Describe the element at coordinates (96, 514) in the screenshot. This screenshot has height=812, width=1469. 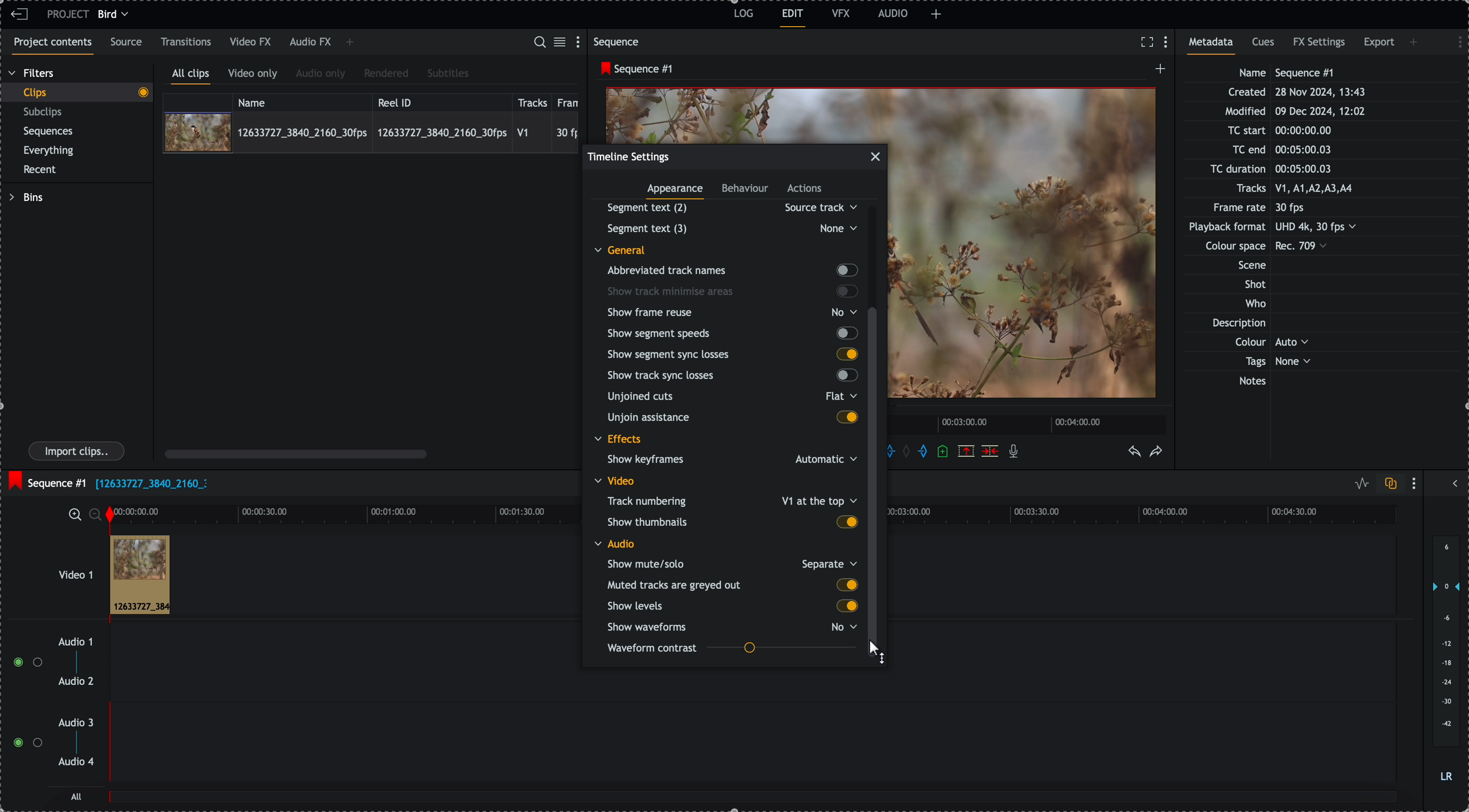
I see `zoom ouy` at that location.